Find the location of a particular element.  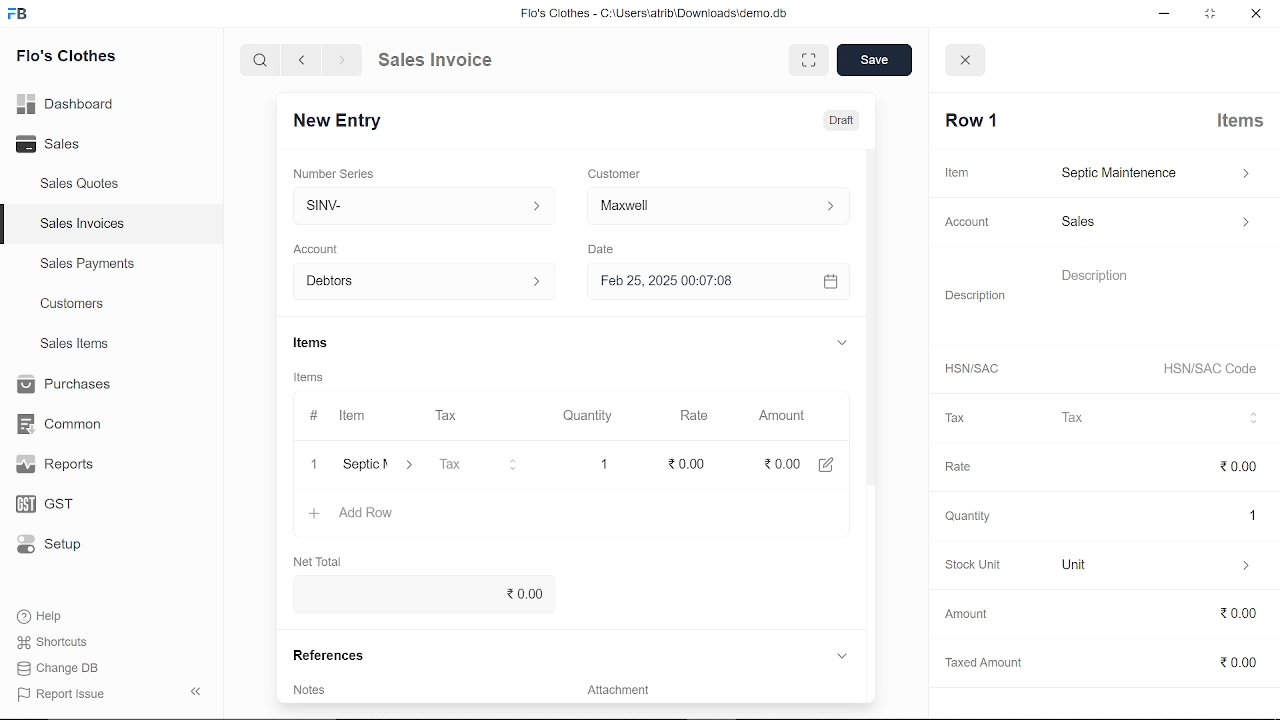

Sales Quotes is located at coordinates (82, 186).